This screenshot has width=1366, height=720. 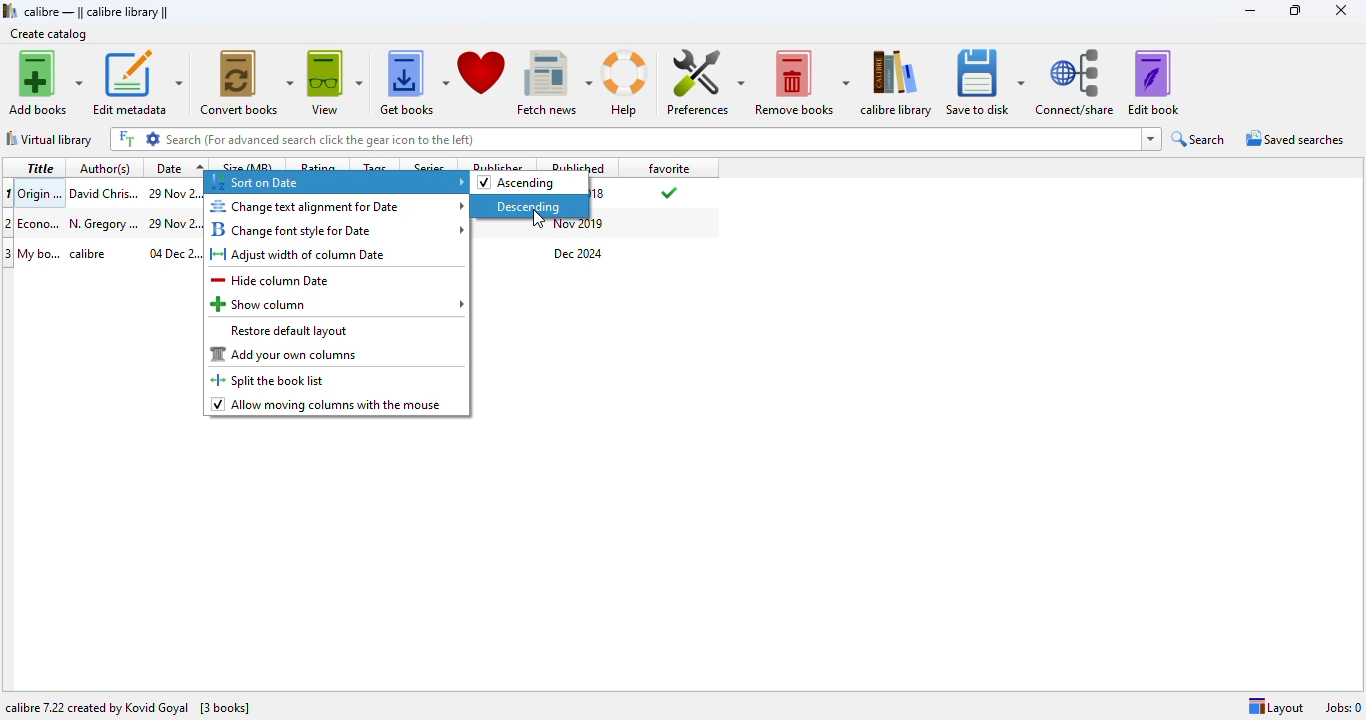 What do you see at coordinates (1199, 139) in the screenshot?
I see `search` at bounding box center [1199, 139].